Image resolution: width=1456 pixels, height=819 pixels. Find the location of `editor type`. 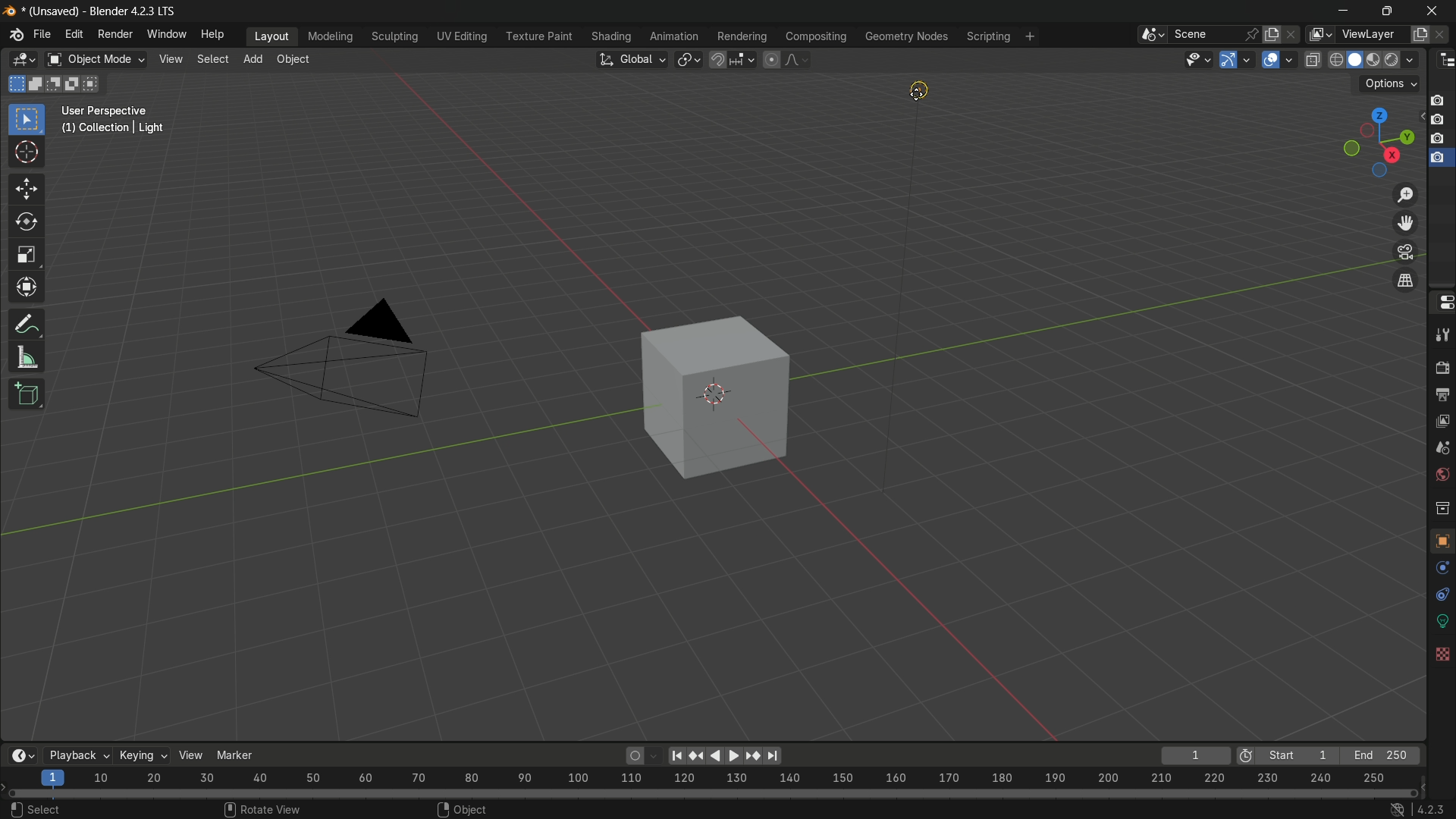

editor type is located at coordinates (24, 59).